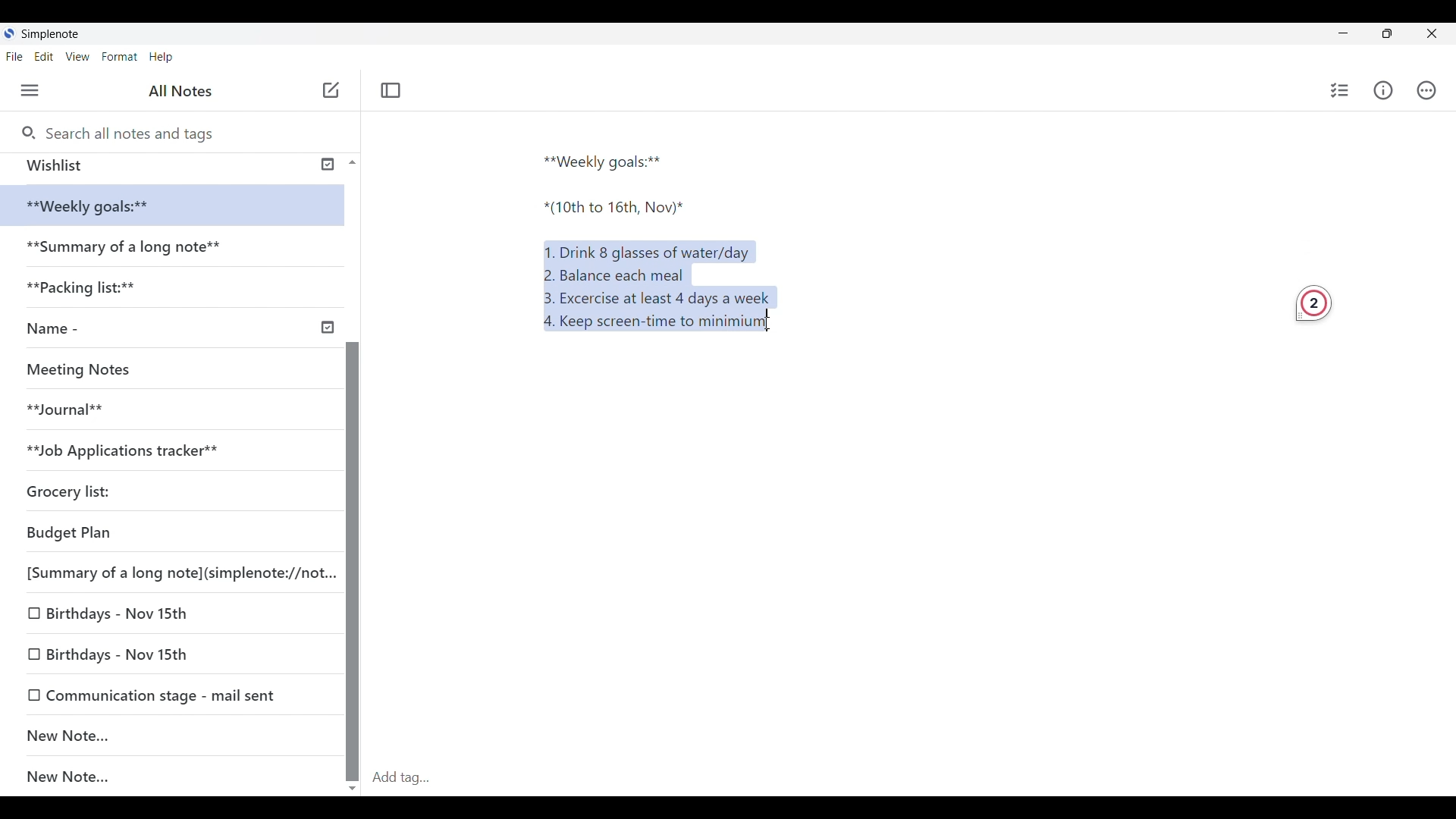 This screenshot has height=819, width=1456. I want to click on minimize, so click(1354, 36).